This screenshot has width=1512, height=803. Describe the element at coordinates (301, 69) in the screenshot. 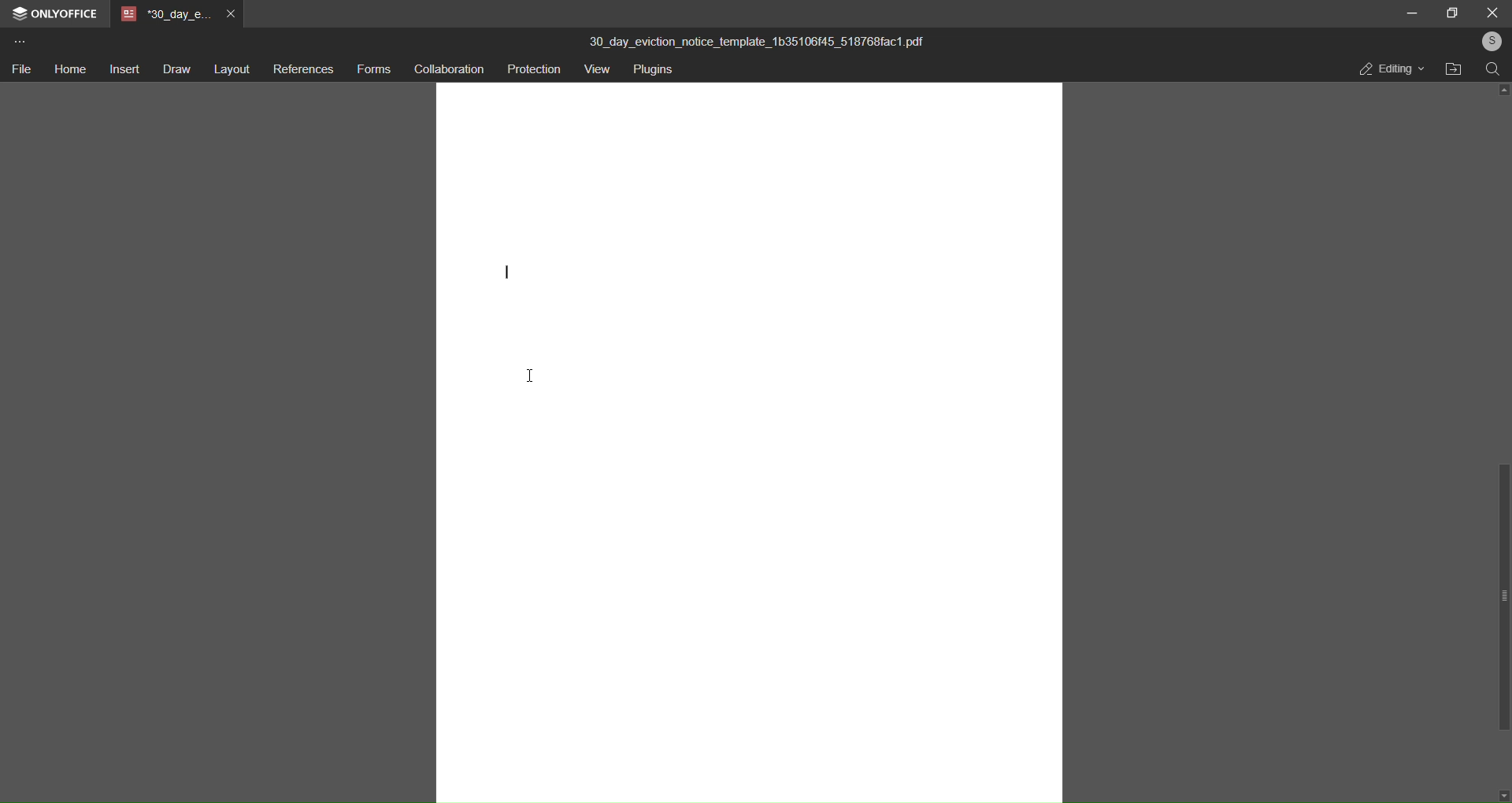

I see `references` at that location.